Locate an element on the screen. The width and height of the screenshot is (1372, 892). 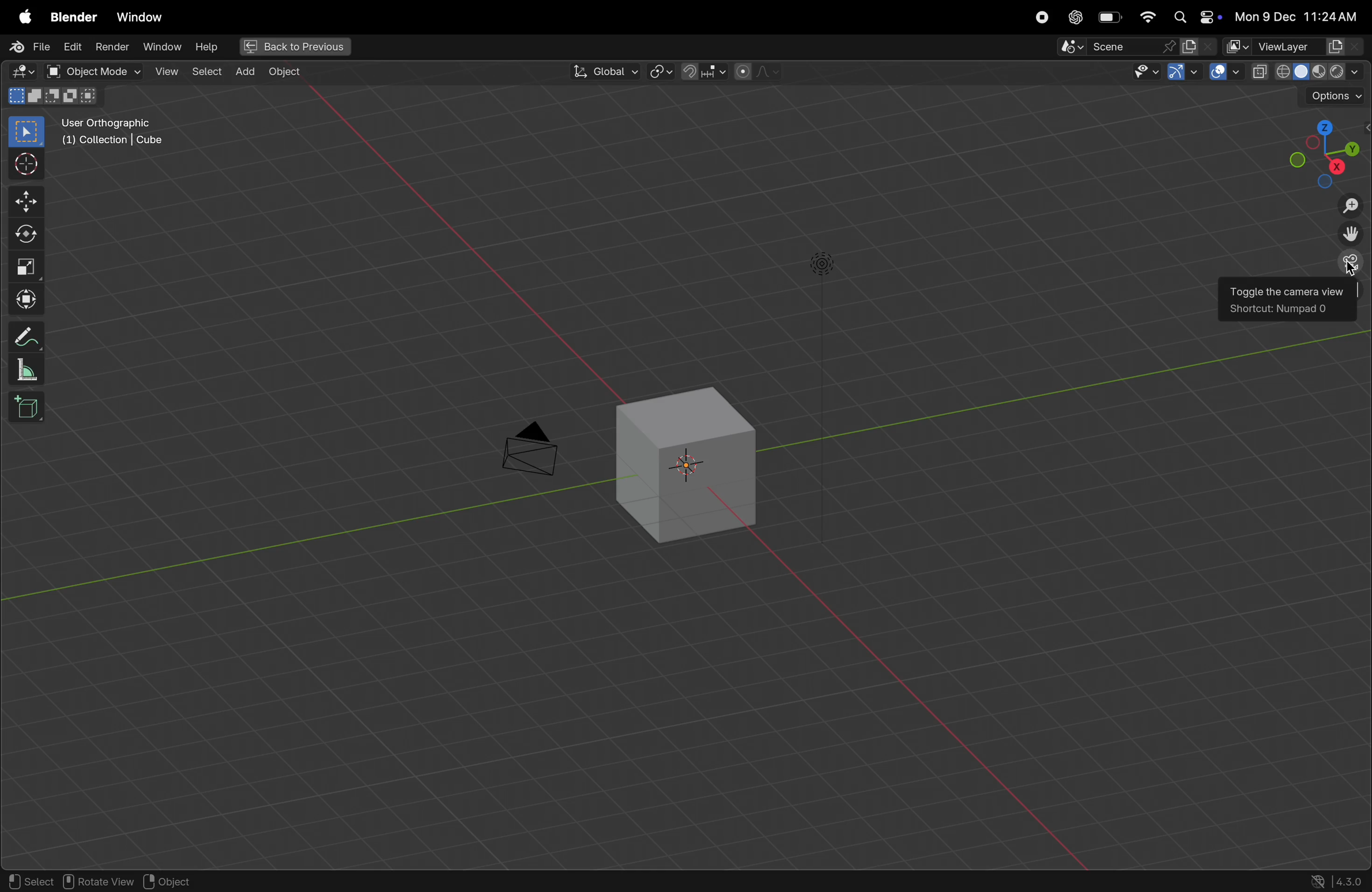
object is located at coordinates (177, 880).